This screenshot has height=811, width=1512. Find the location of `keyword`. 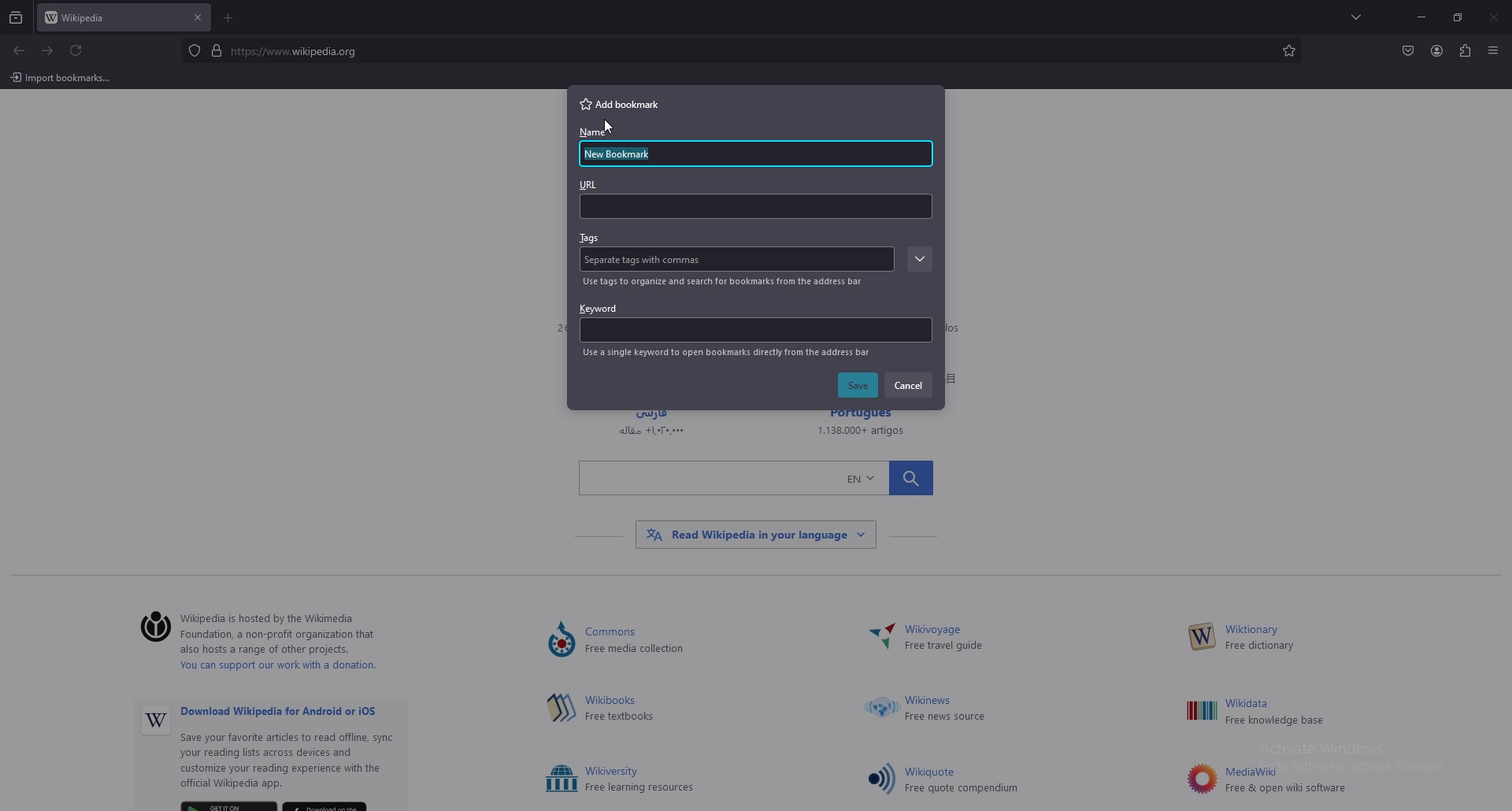

keyword is located at coordinates (755, 321).